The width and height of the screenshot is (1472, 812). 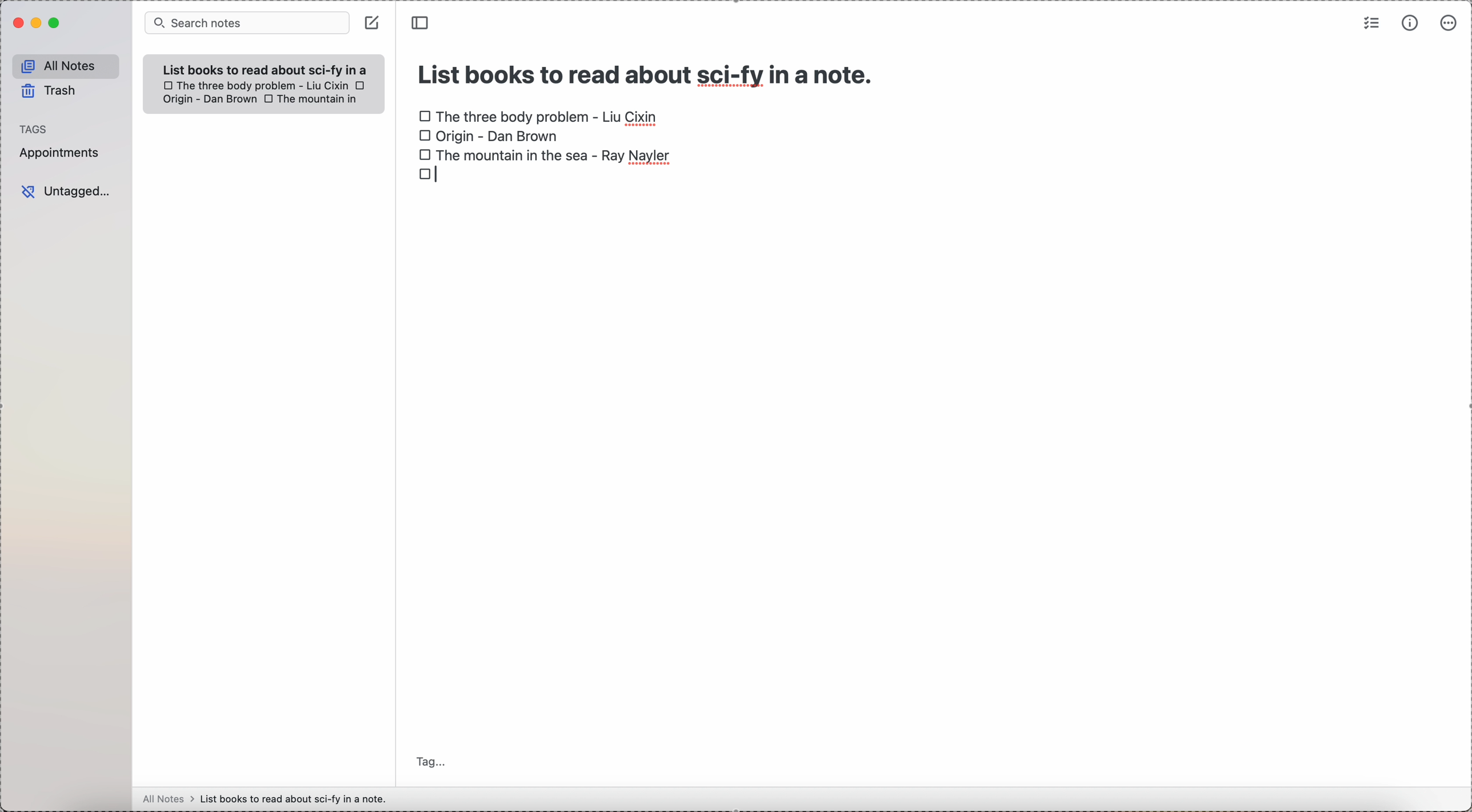 What do you see at coordinates (208, 100) in the screenshot?
I see `Origin - Dan Brown` at bounding box center [208, 100].